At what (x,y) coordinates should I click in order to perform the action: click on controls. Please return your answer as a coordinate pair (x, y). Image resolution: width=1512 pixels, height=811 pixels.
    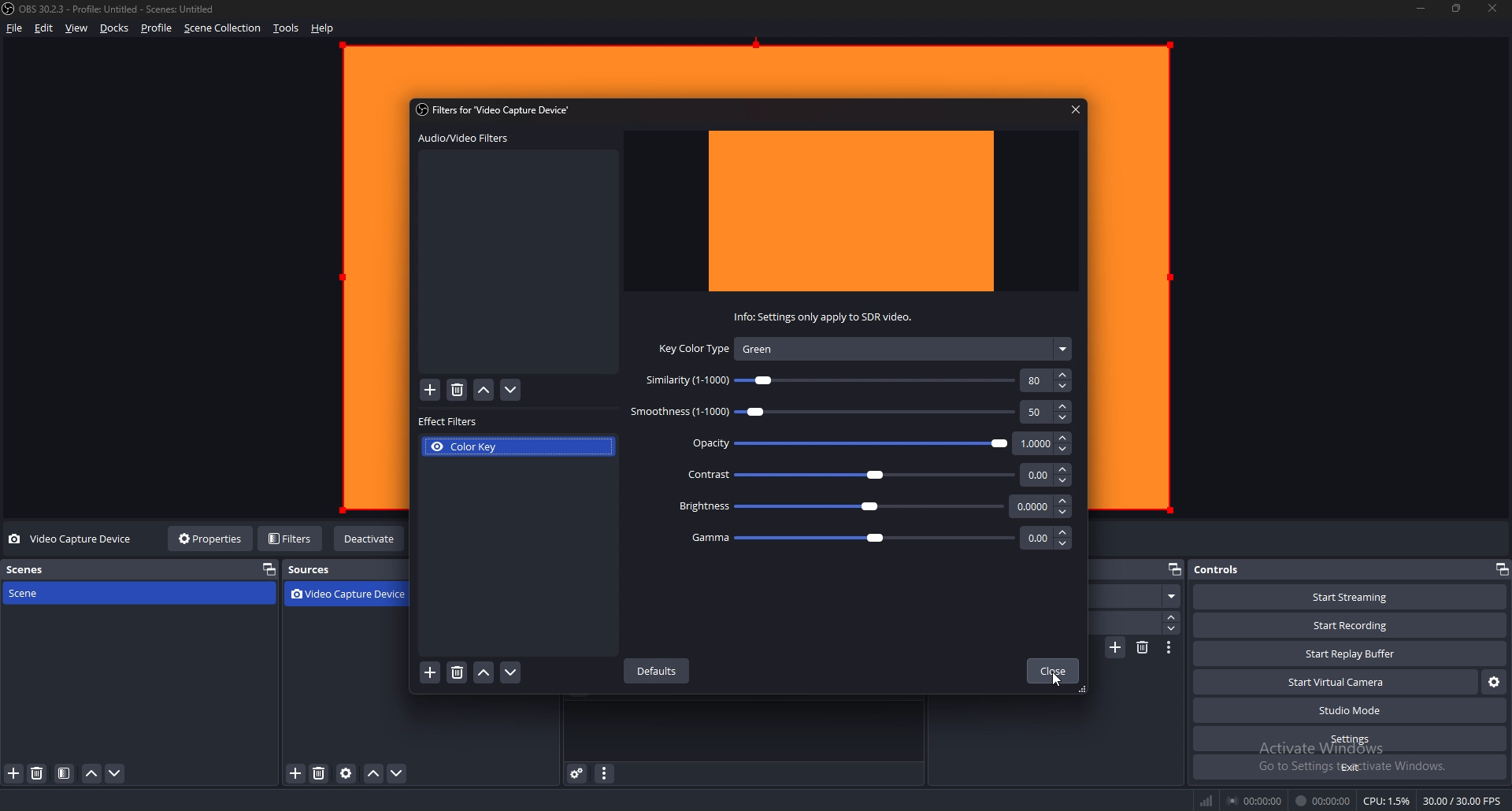
    Looking at the image, I should click on (1227, 569).